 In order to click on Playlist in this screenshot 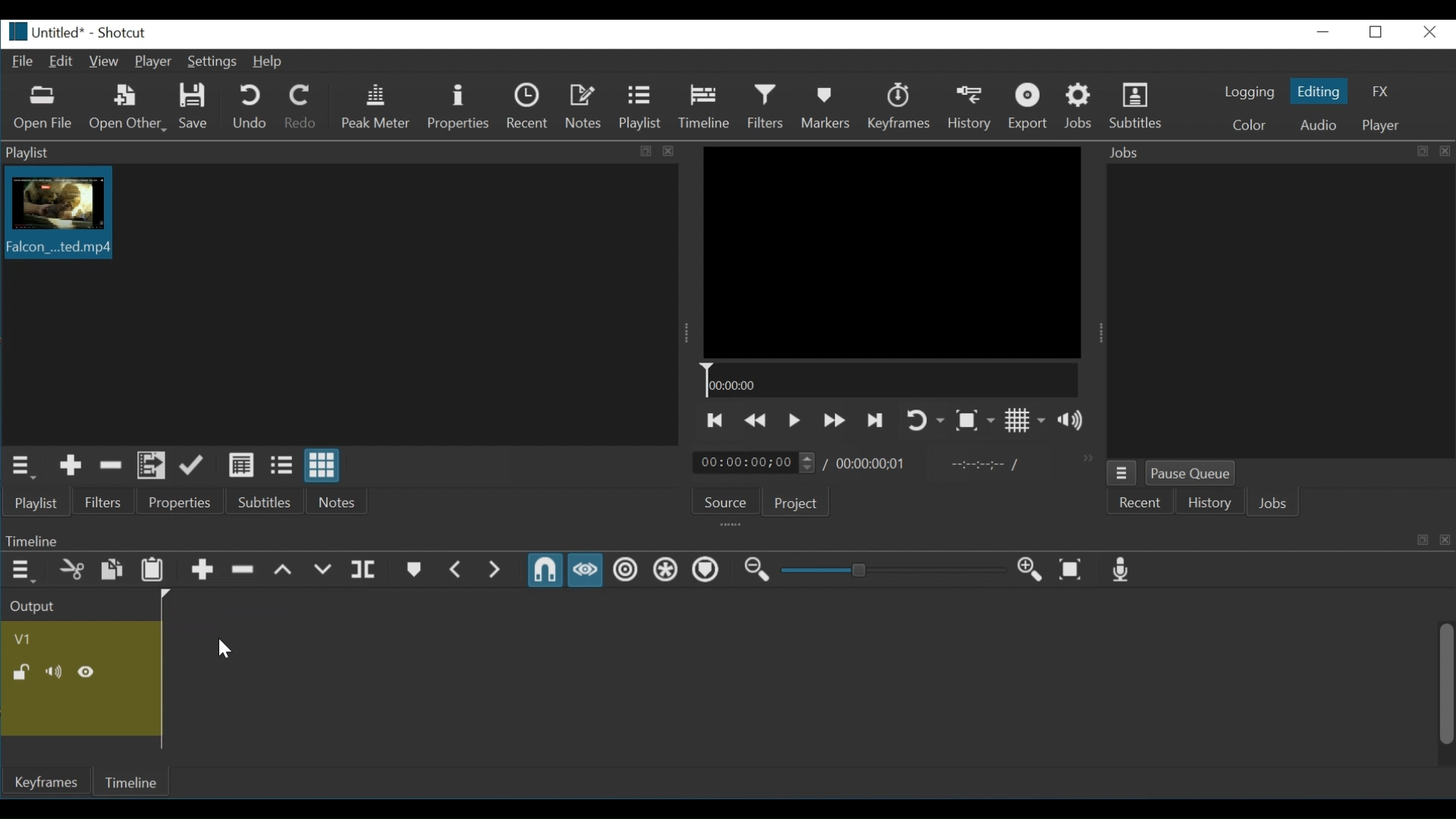, I will do `click(38, 502)`.